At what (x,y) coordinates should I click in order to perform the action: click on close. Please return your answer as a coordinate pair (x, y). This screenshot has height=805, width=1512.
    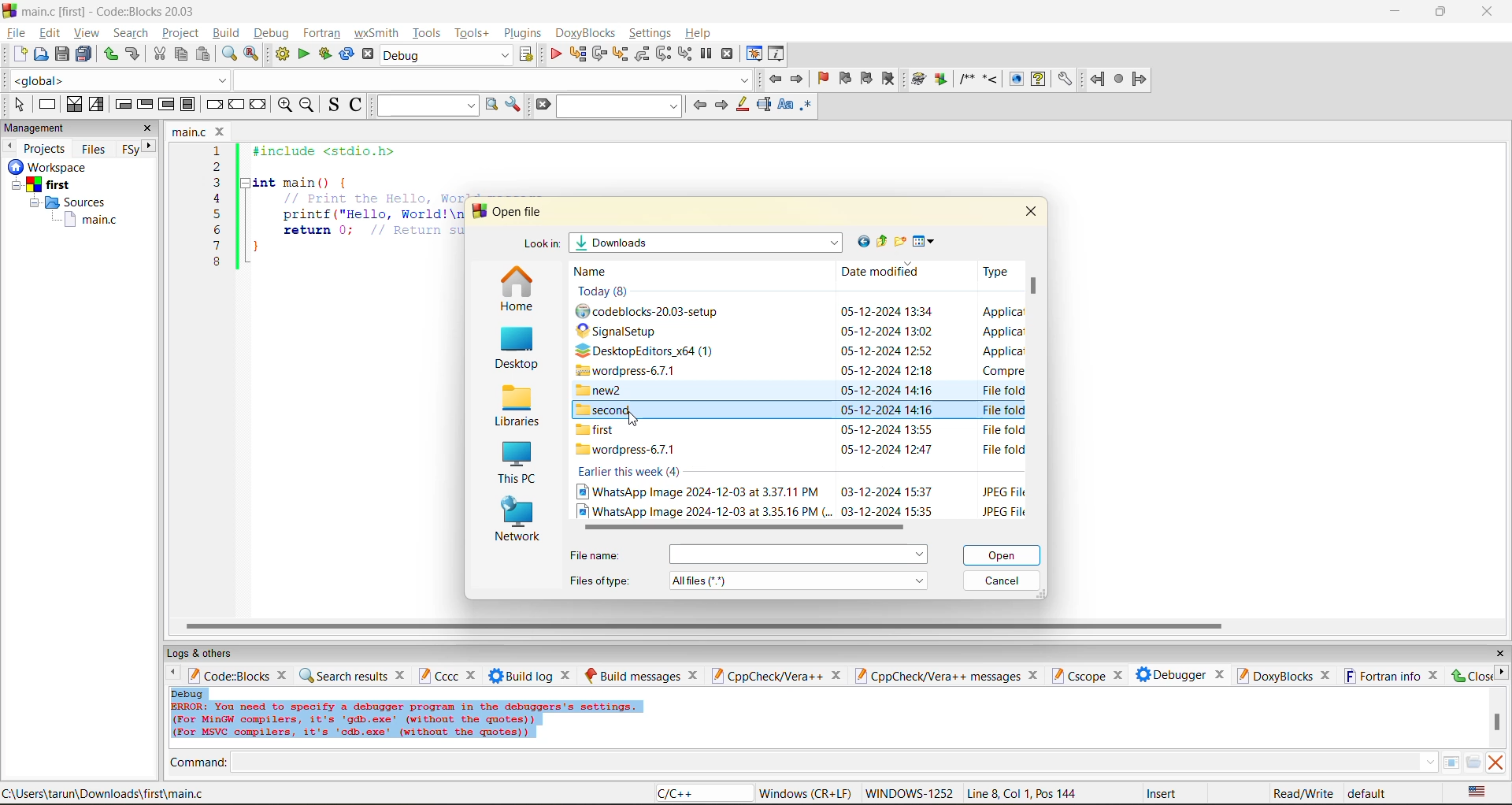
    Looking at the image, I should click on (148, 128).